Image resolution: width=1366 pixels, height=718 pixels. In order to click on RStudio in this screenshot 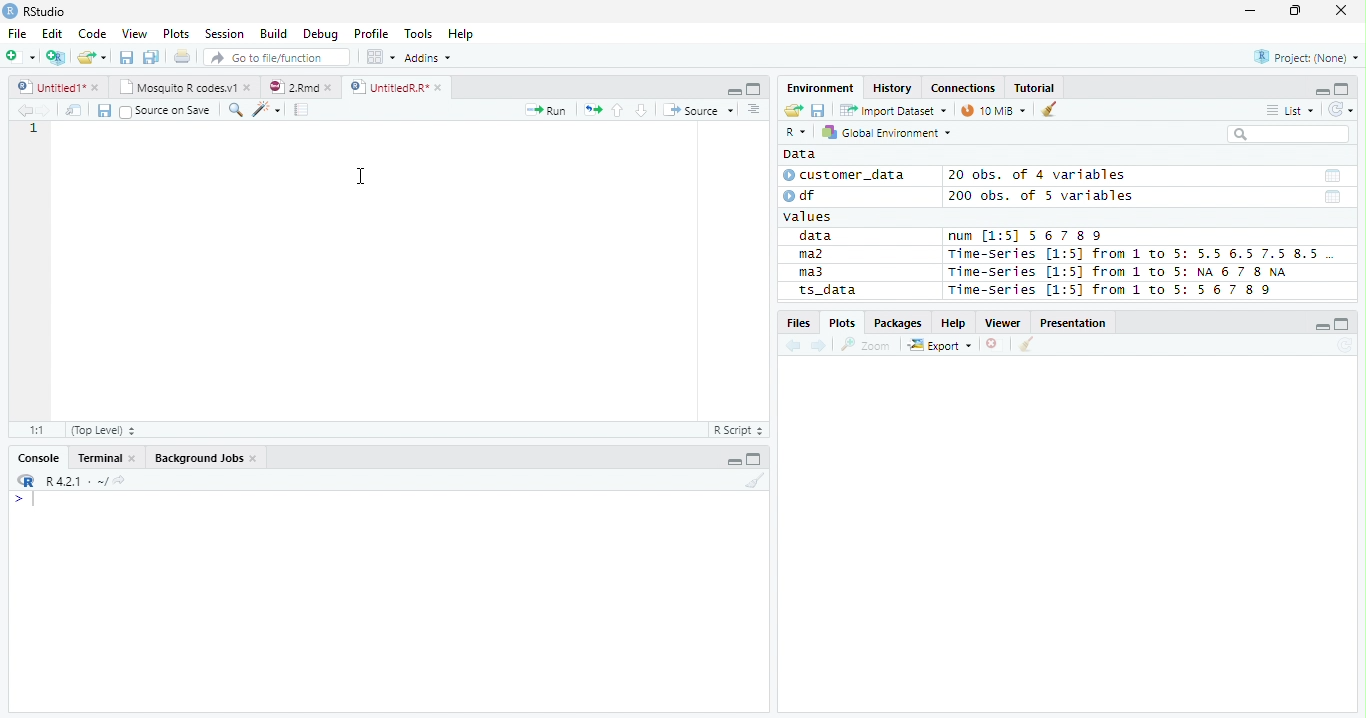, I will do `click(35, 12)`.